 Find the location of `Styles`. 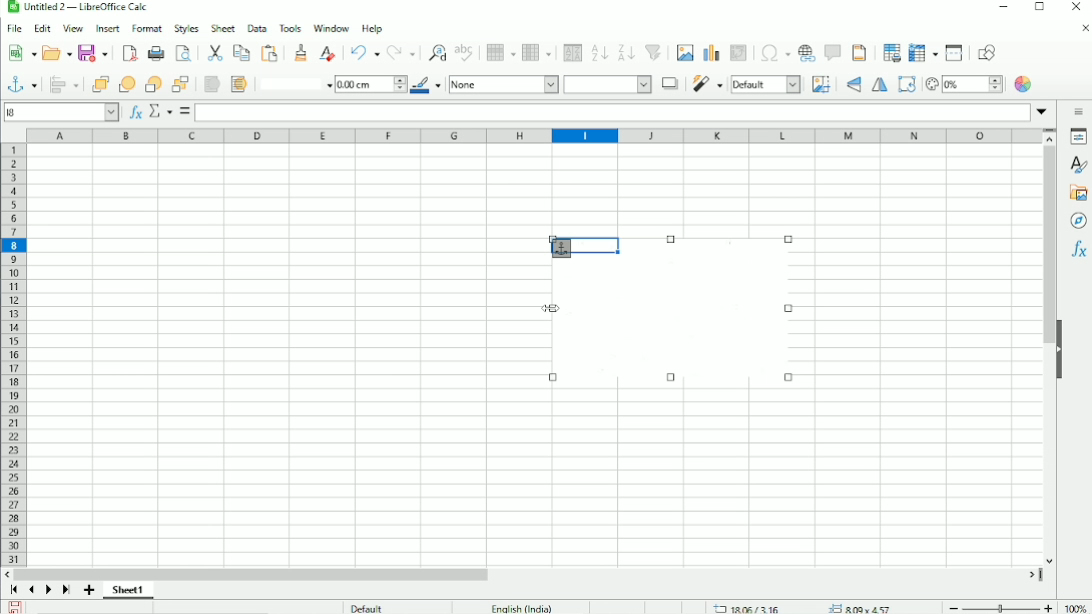

Styles is located at coordinates (1076, 164).